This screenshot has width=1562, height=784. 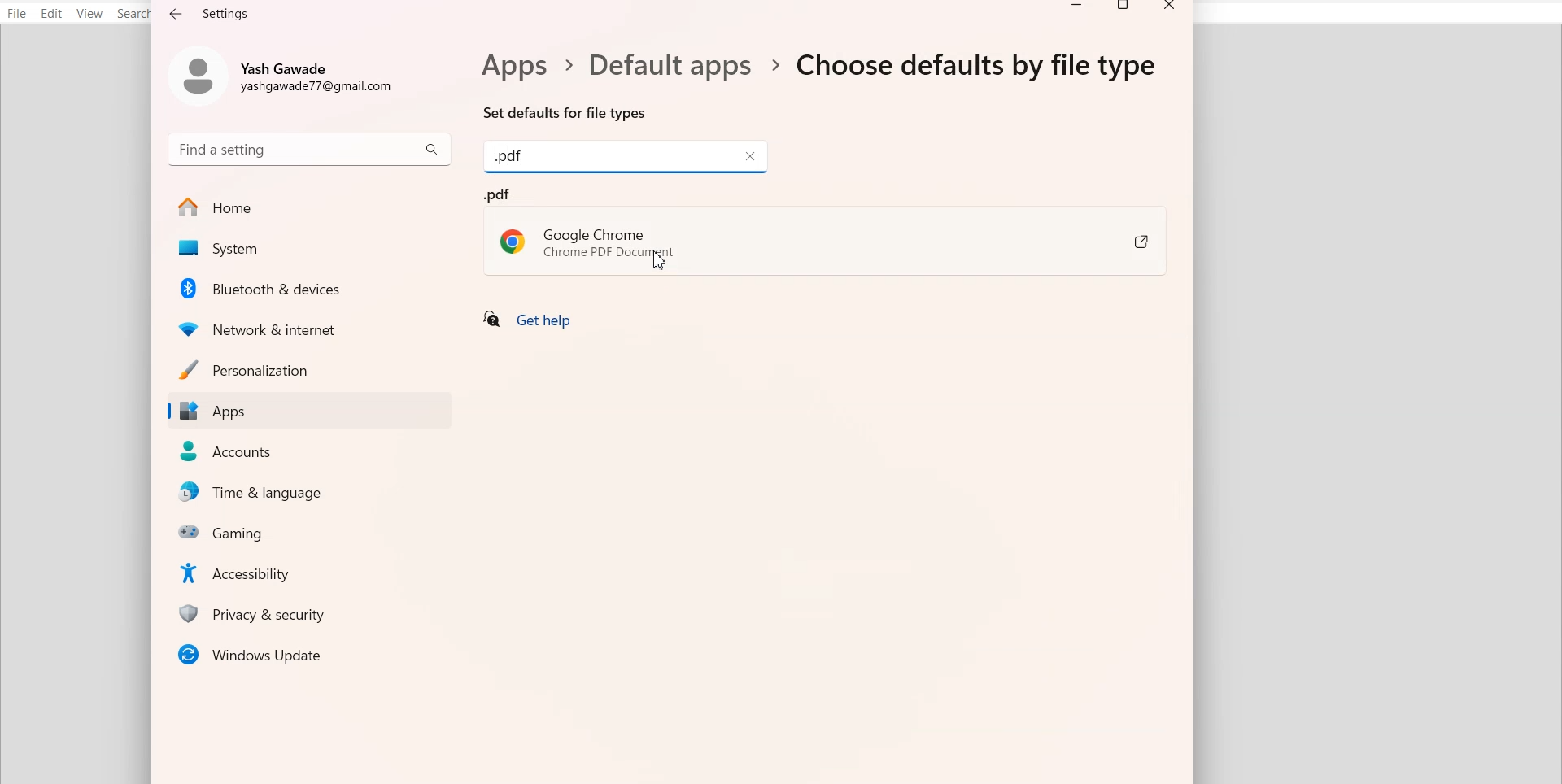 What do you see at coordinates (308, 412) in the screenshot?
I see `Apps` at bounding box center [308, 412].